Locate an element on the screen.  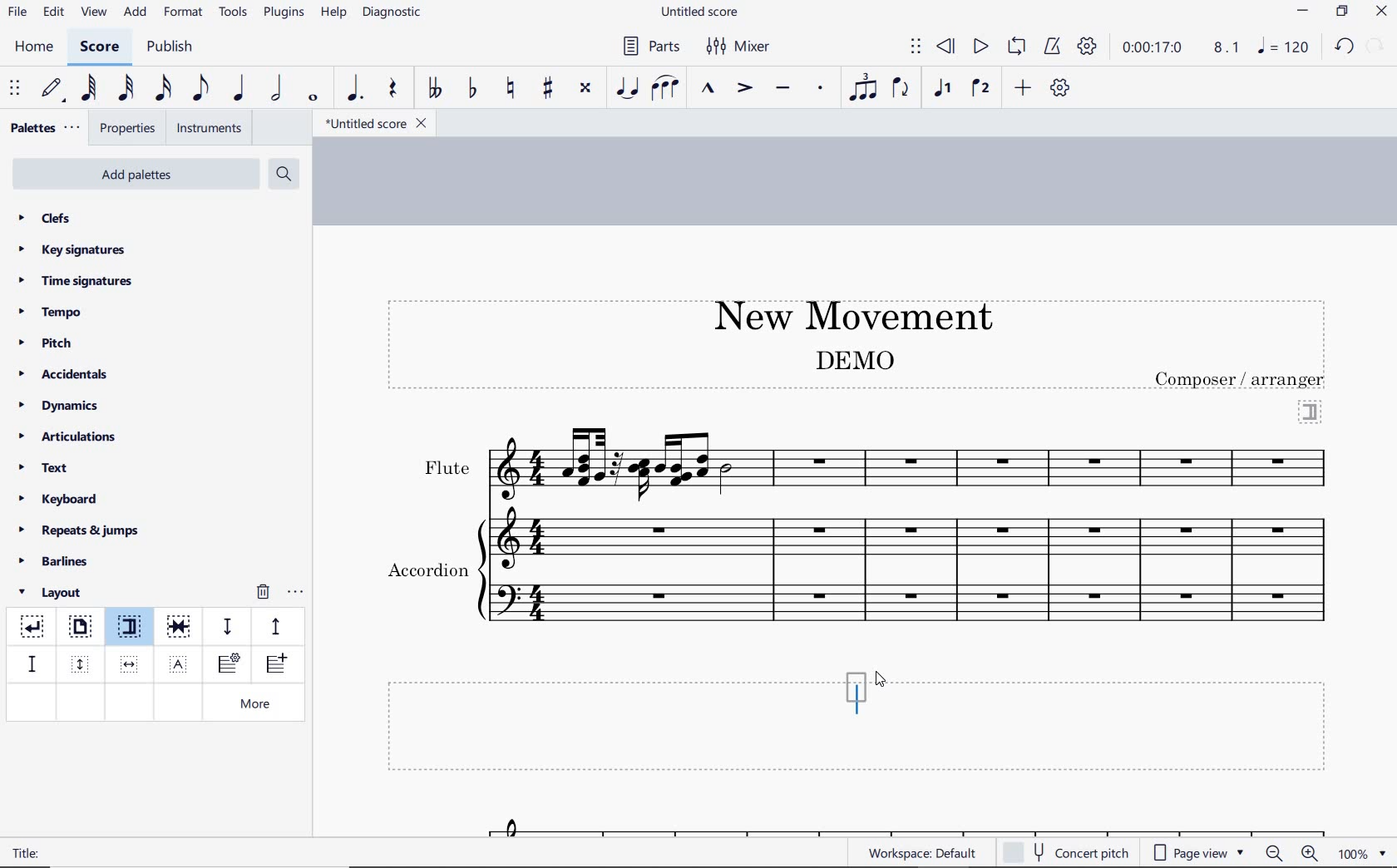
plugins is located at coordinates (284, 13).